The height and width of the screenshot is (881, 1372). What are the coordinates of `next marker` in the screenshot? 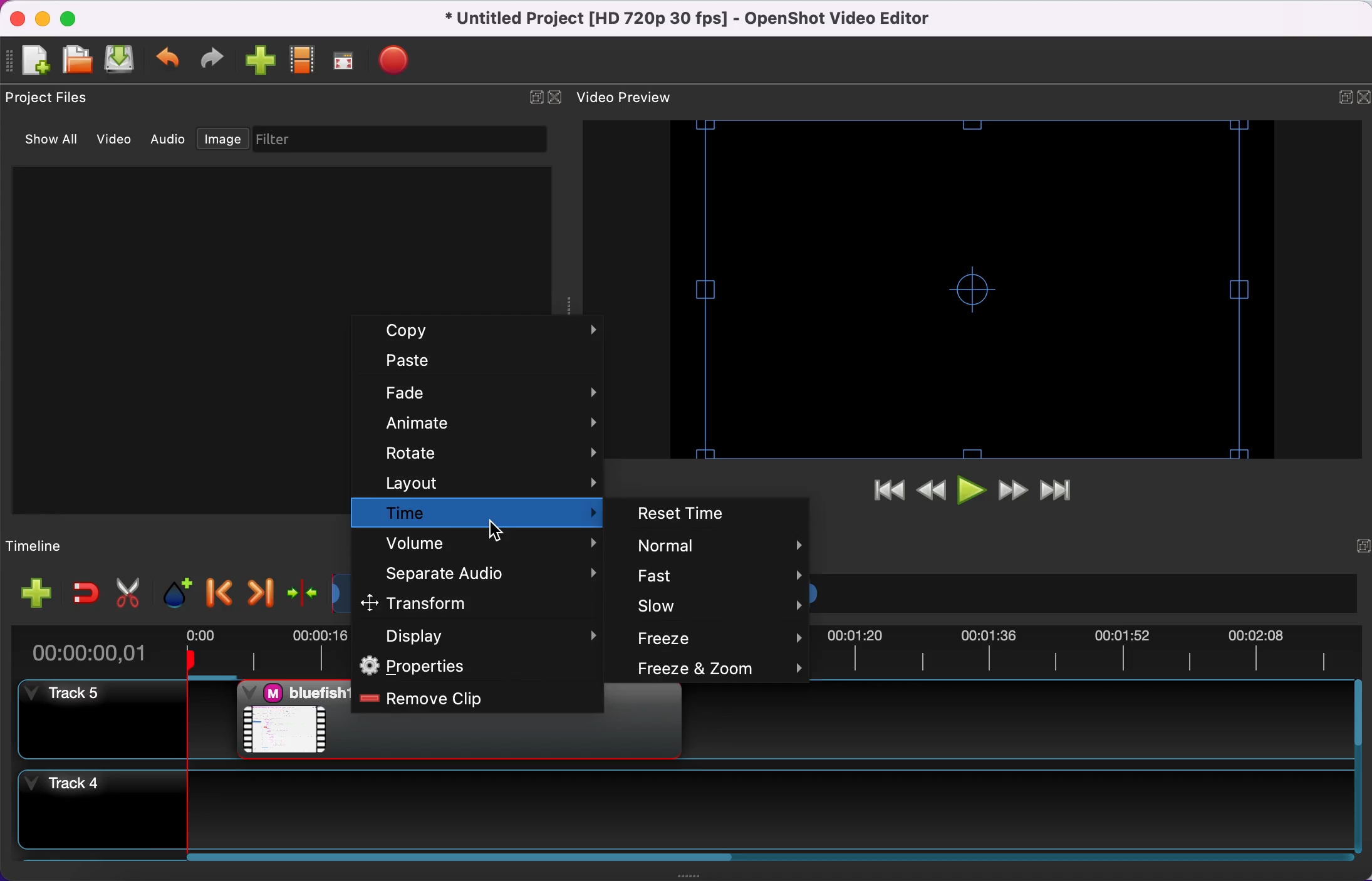 It's located at (261, 594).